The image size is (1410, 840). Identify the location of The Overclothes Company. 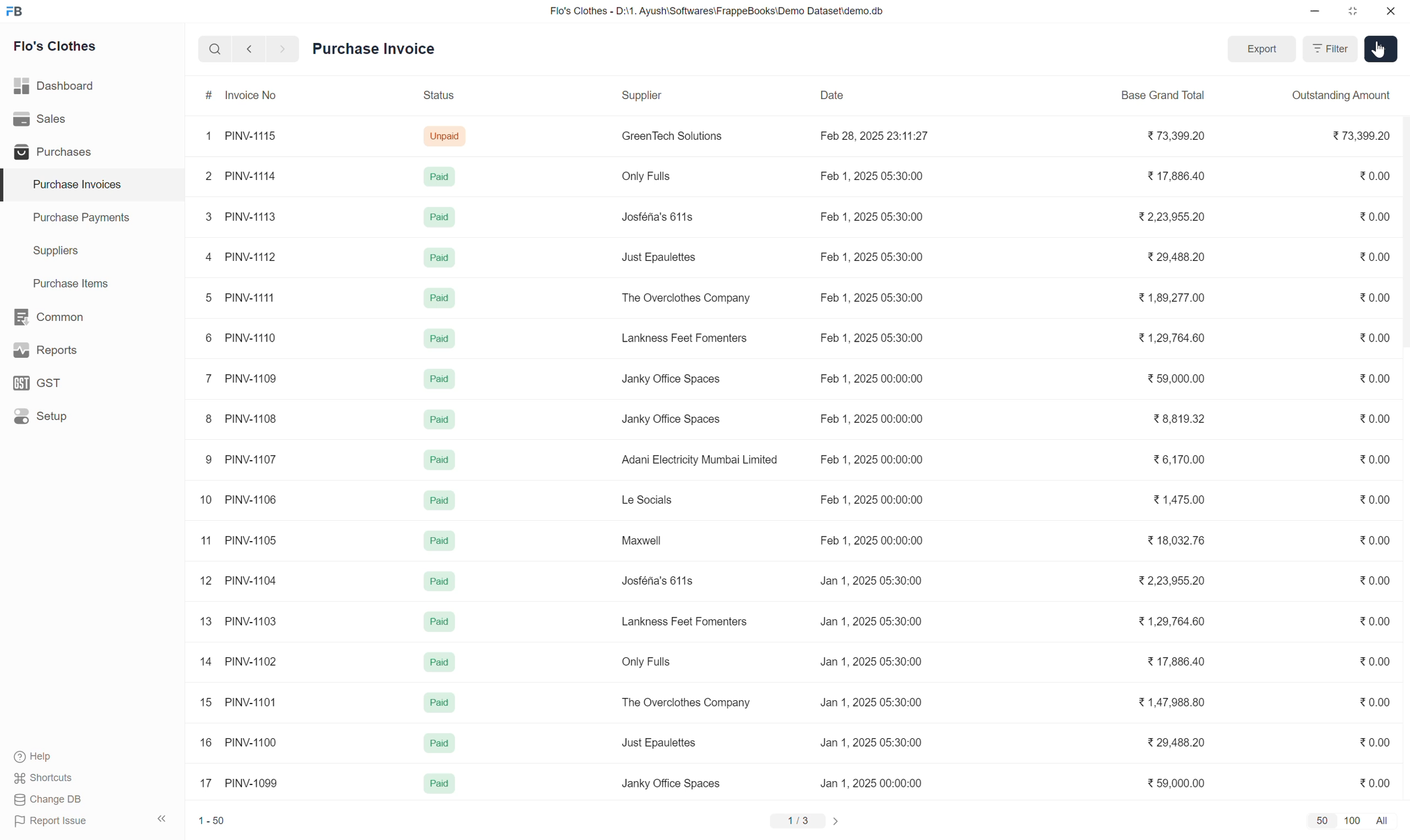
(686, 297).